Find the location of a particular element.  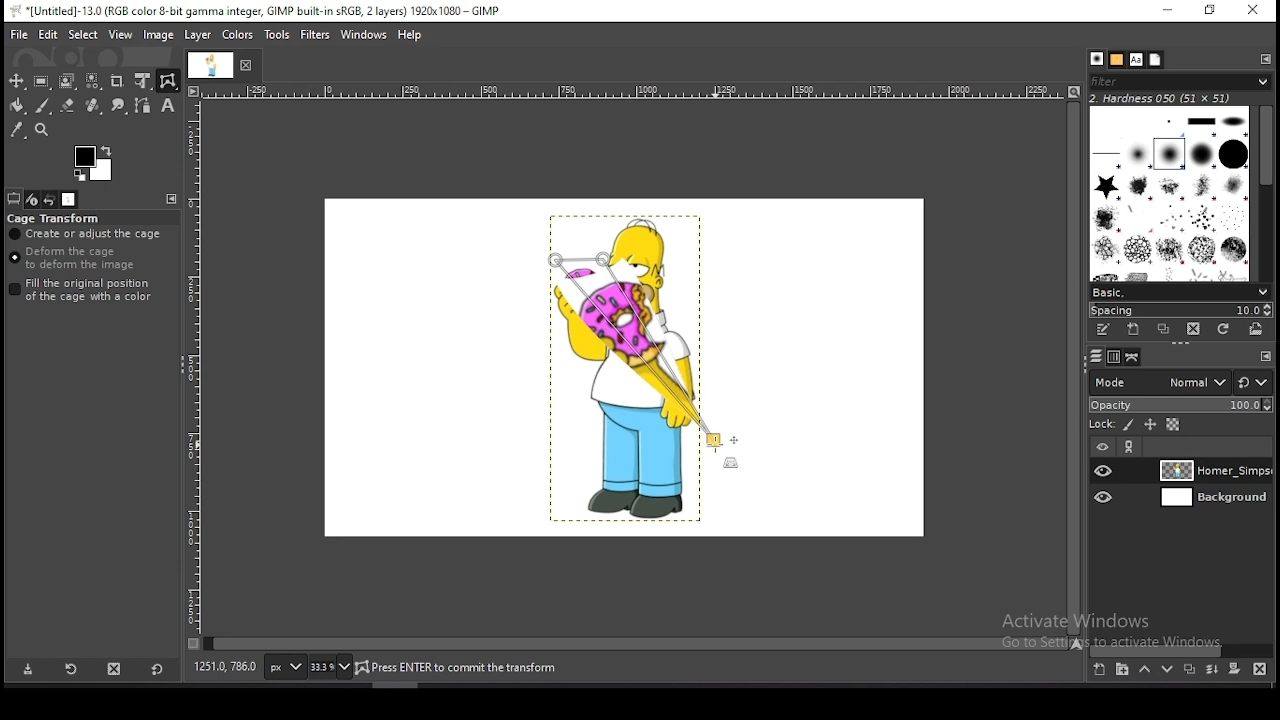

crop tool is located at coordinates (119, 81).